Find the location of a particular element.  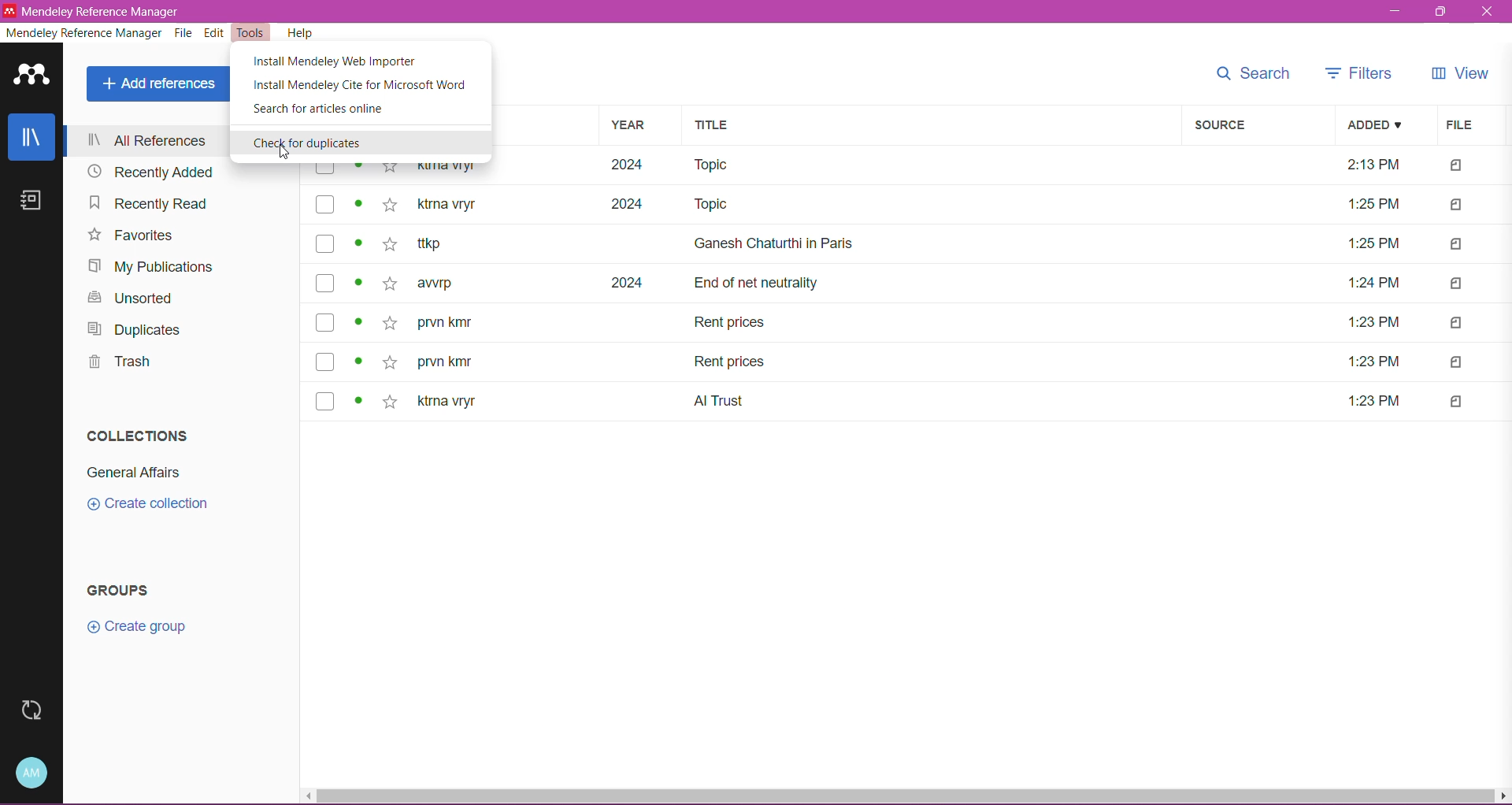

file is located at coordinates (1458, 323).